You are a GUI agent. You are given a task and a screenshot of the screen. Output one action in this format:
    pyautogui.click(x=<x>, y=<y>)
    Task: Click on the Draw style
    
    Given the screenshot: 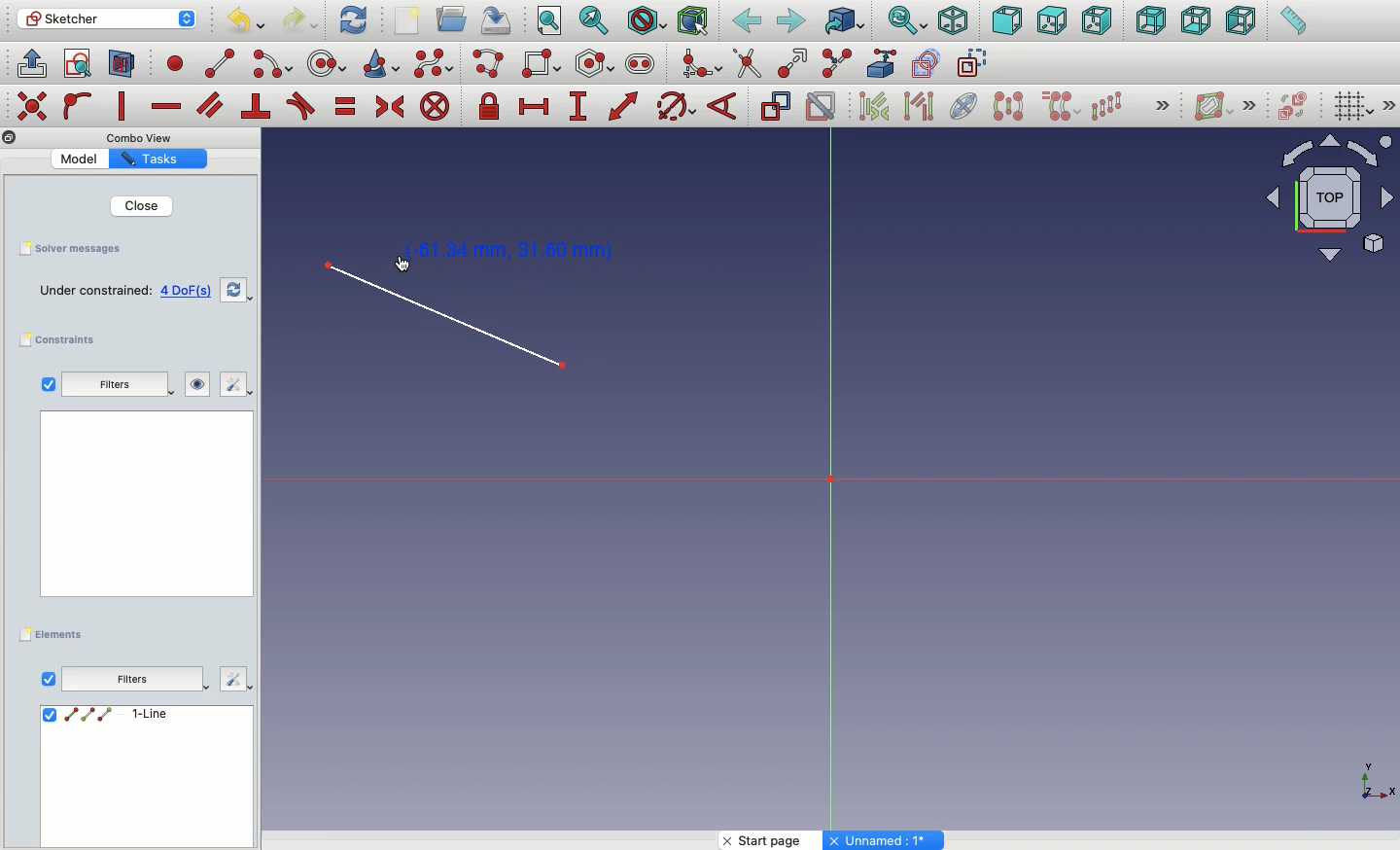 What is the action you would take?
    pyautogui.click(x=647, y=20)
    